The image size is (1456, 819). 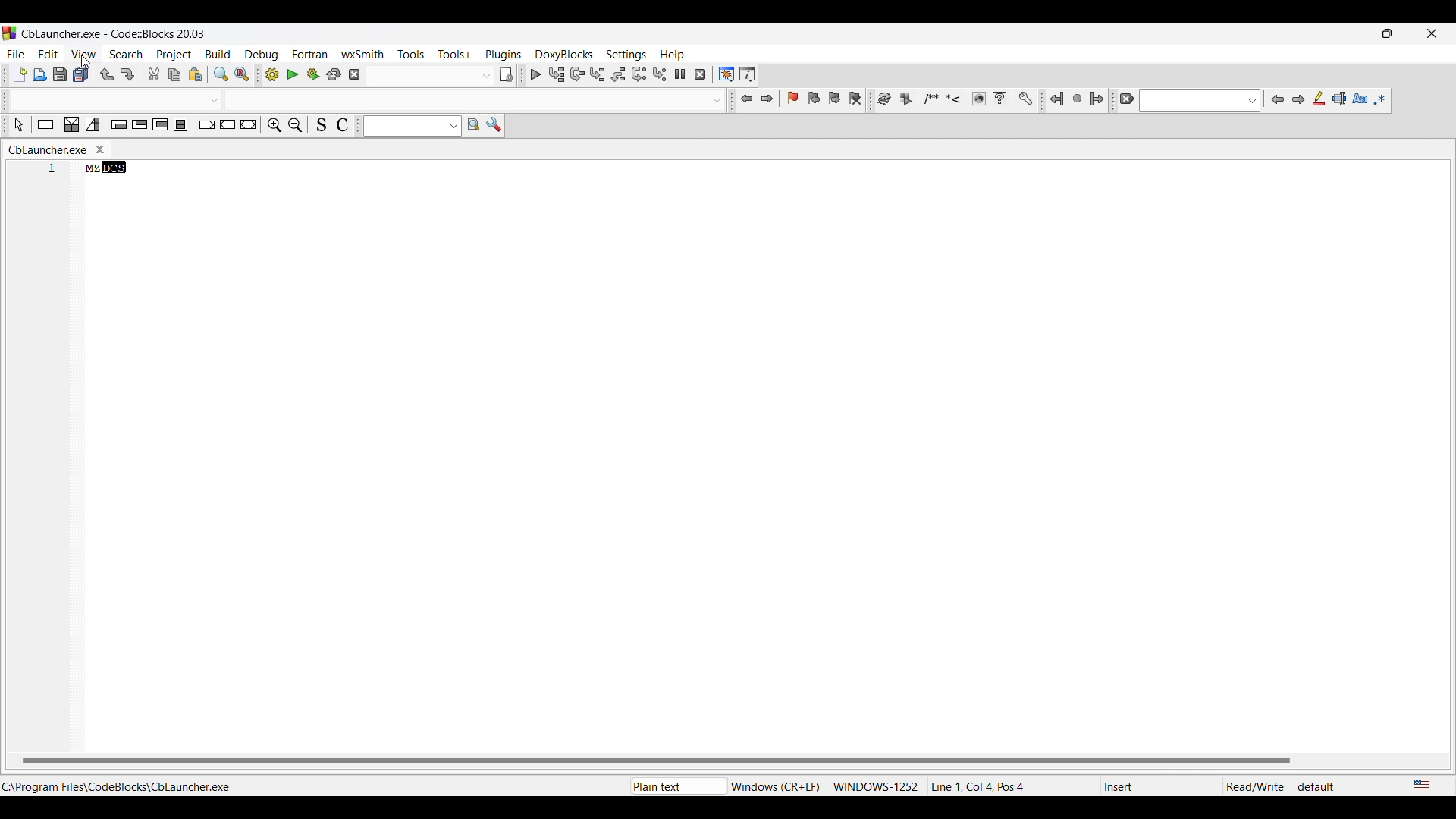 What do you see at coordinates (313, 74) in the screenshot?
I see `Build and Run` at bounding box center [313, 74].